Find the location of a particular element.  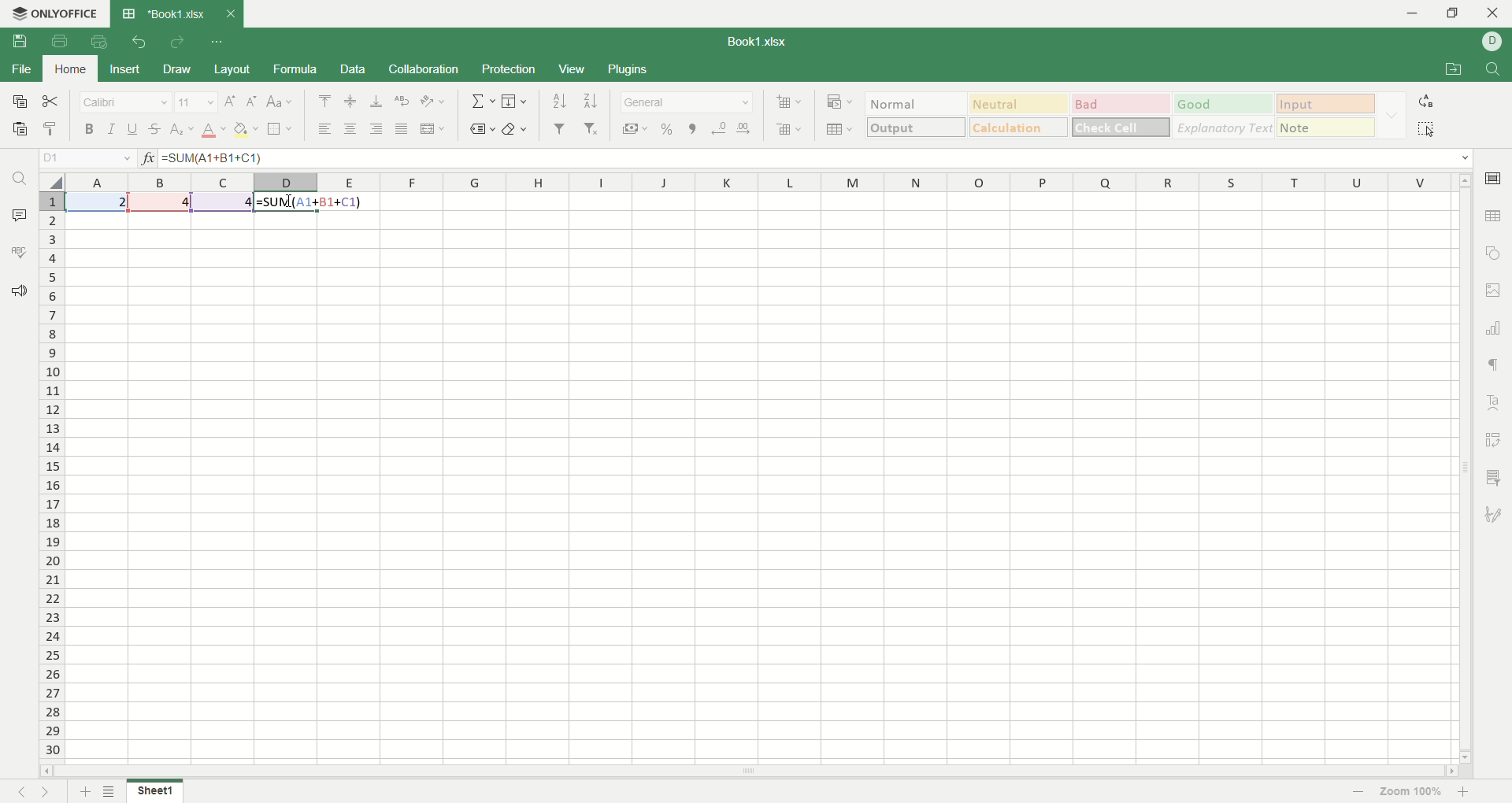

formula is located at coordinates (310, 203).